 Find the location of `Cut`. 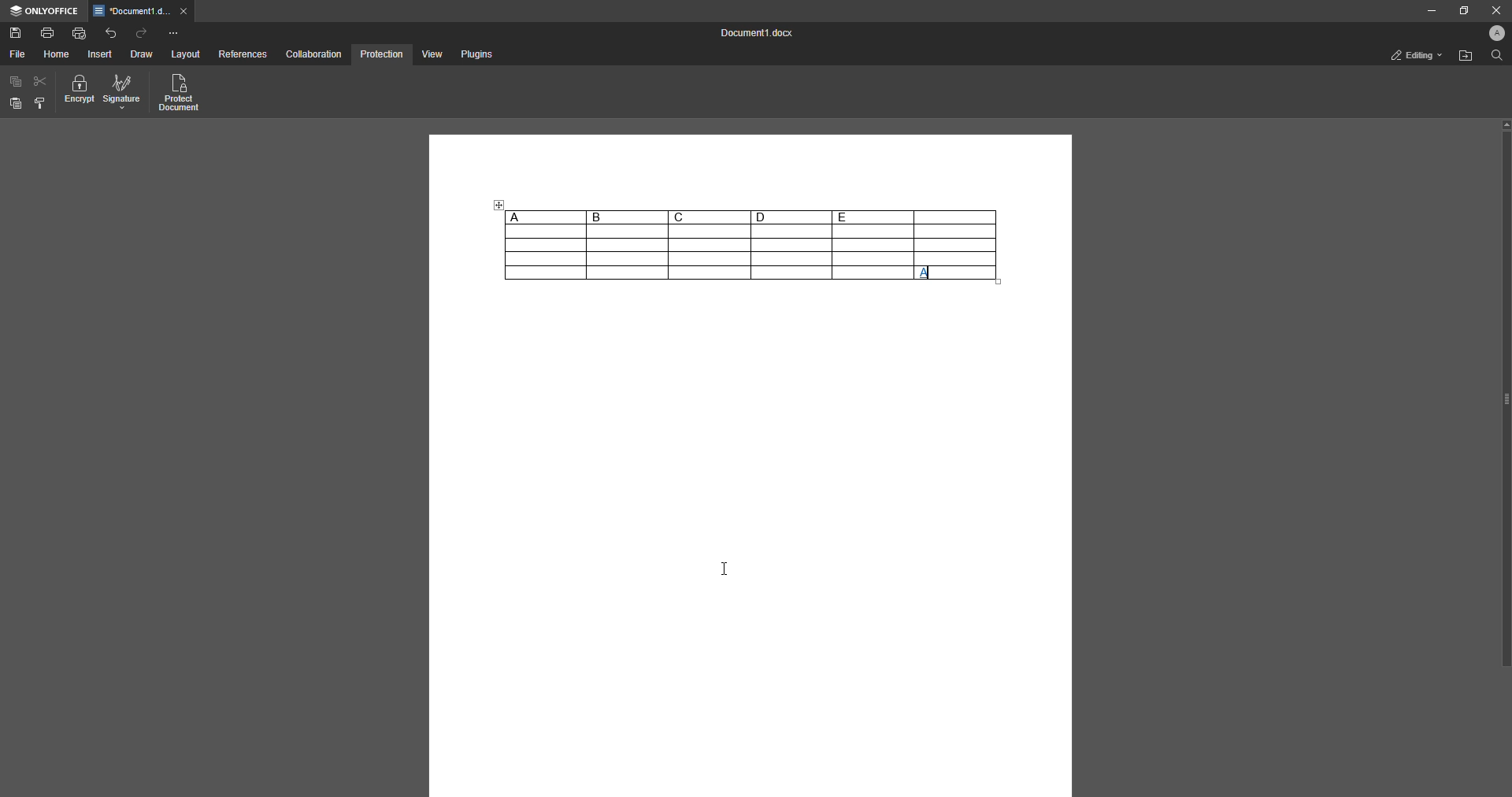

Cut is located at coordinates (41, 80).